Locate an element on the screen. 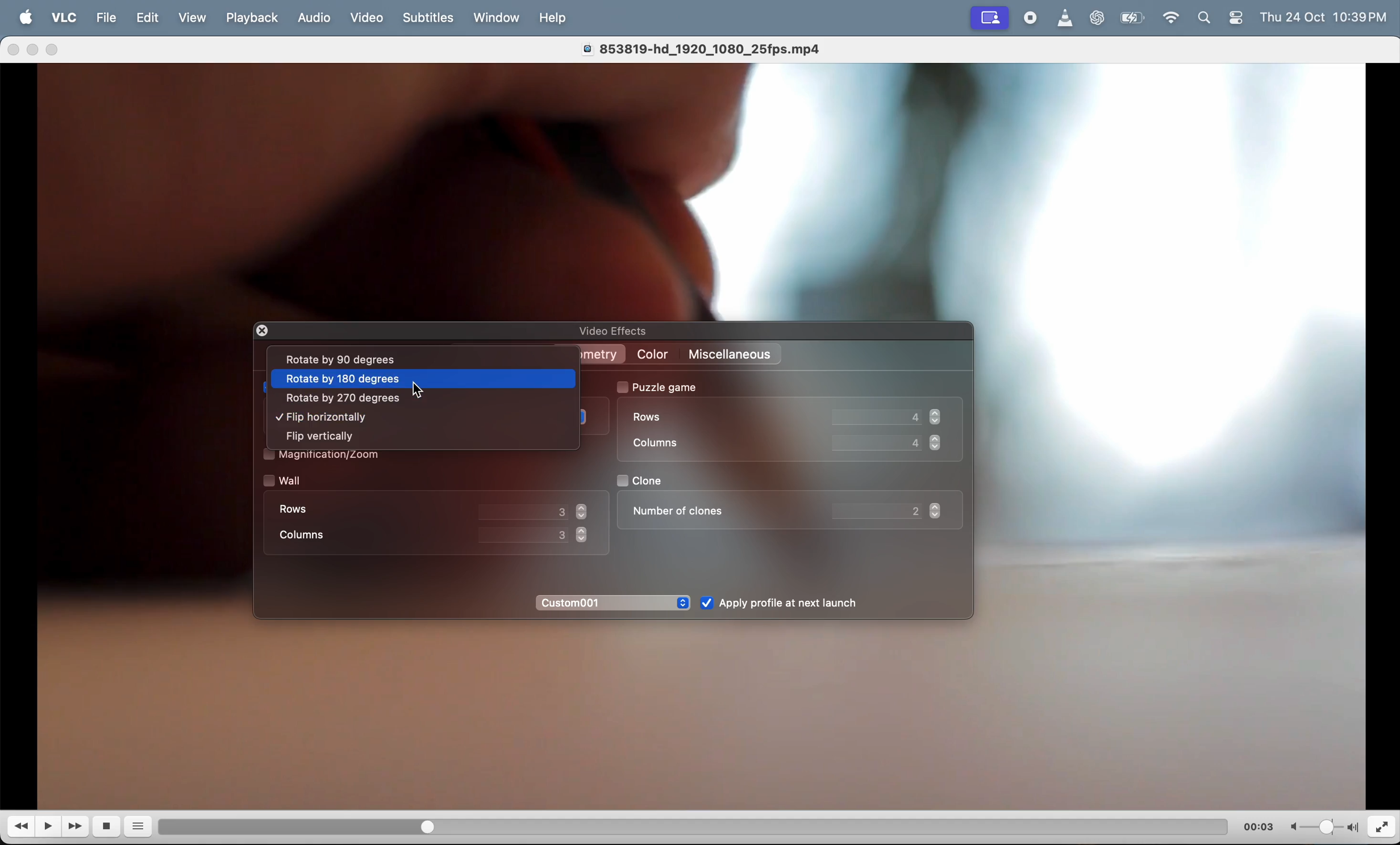  apple widgets is located at coordinates (1222, 18).